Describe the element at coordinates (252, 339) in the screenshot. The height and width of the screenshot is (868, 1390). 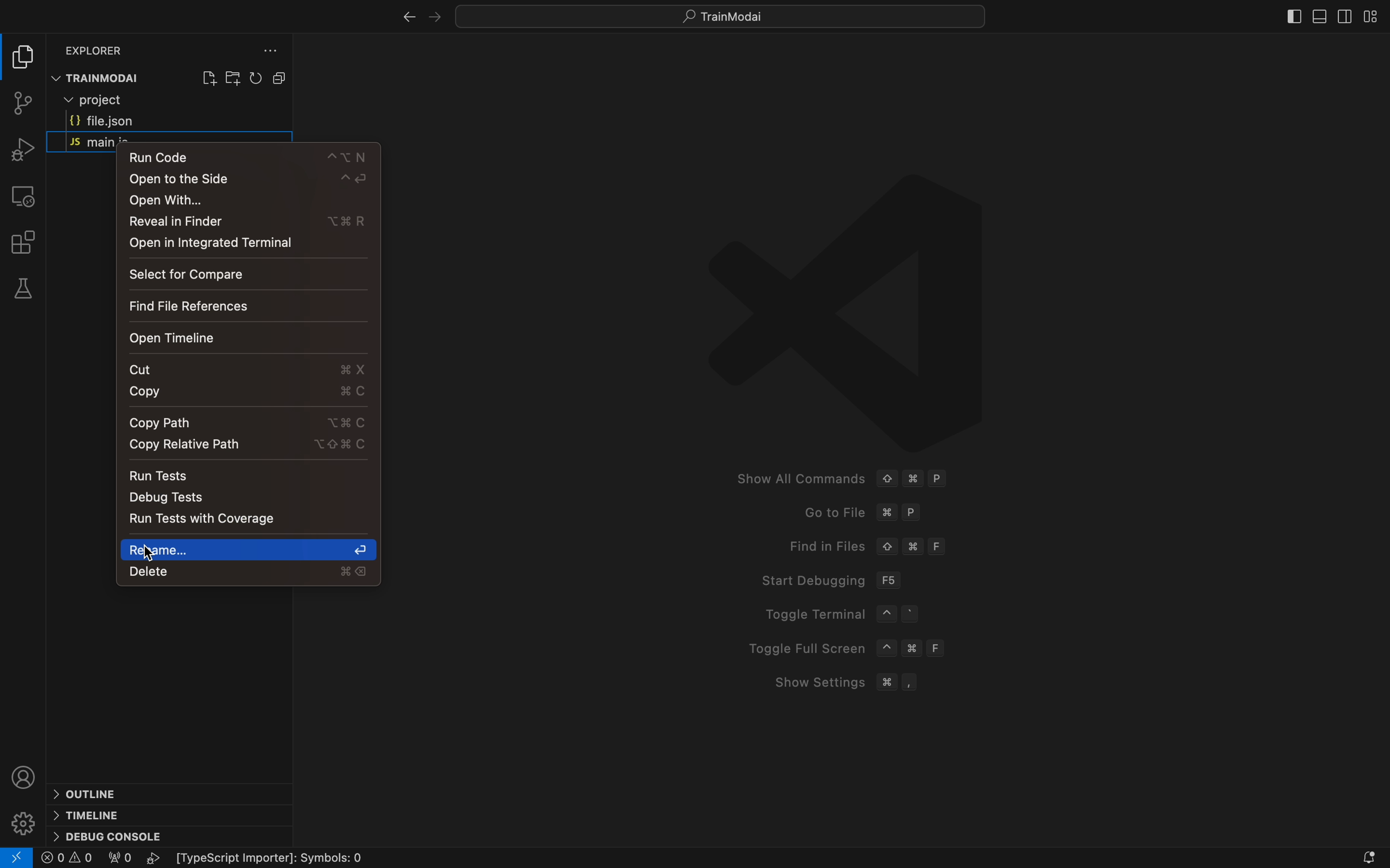
I see `open timeline` at that location.